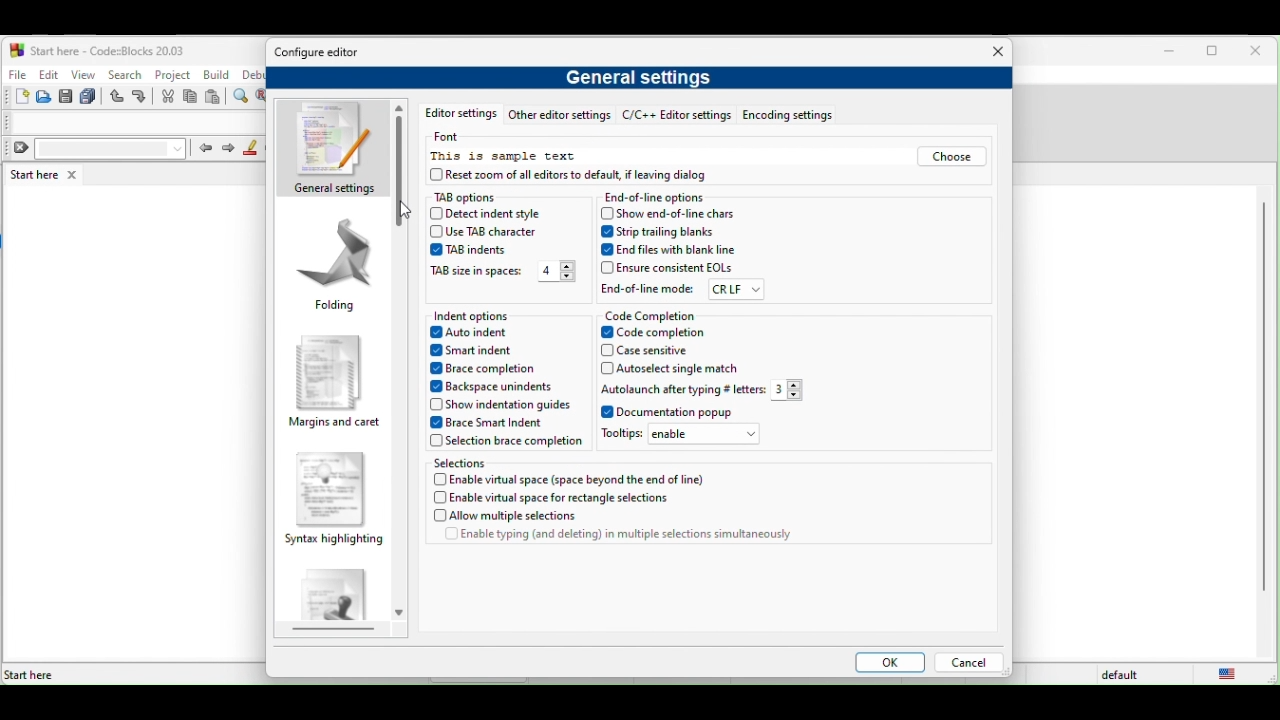 This screenshot has width=1280, height=720. I want to click on Start here, so click(30, 675).